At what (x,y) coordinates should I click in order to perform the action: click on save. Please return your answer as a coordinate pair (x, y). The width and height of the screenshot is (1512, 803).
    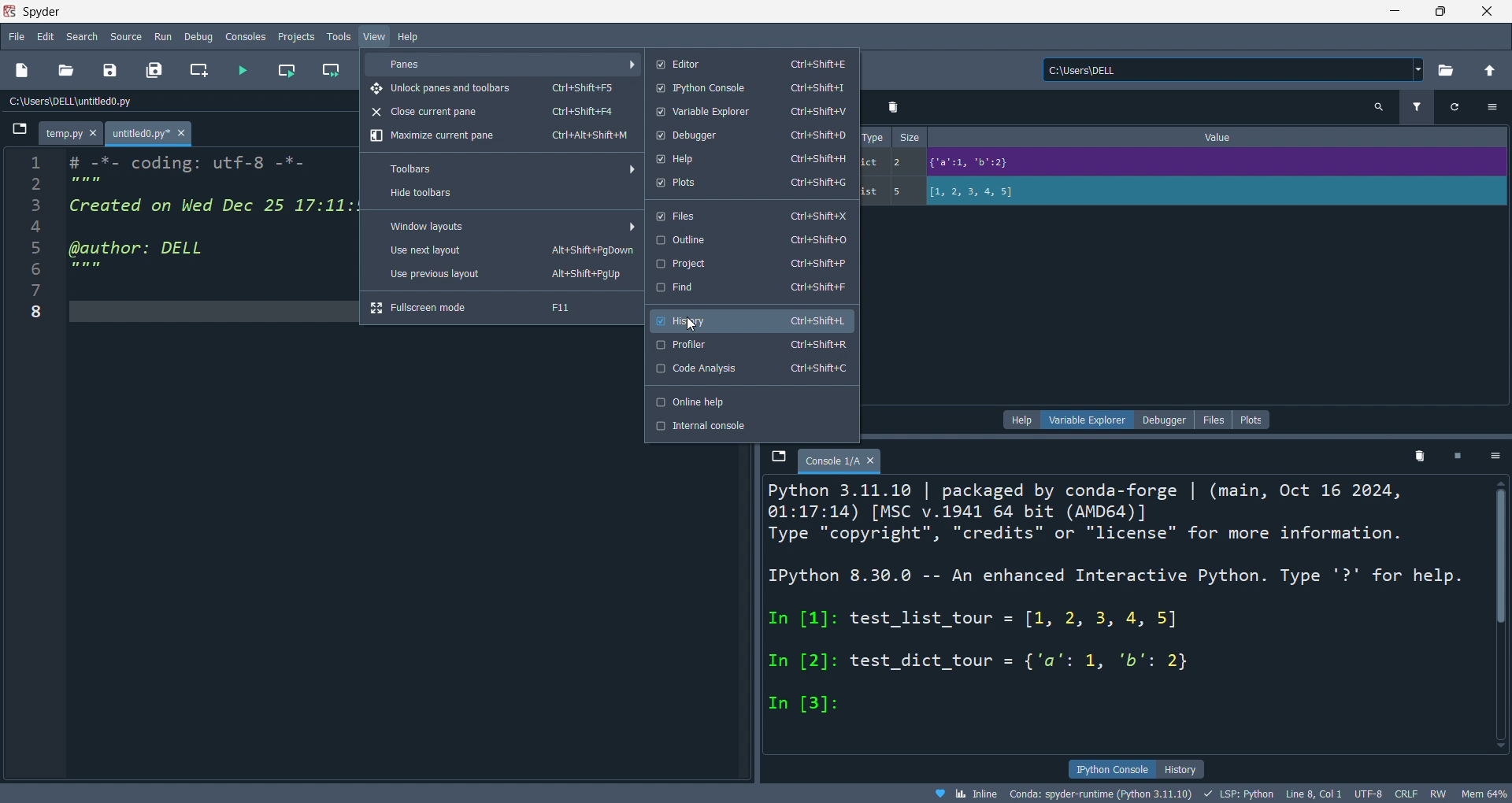
    Looking at the image, I should click on (107, 72).